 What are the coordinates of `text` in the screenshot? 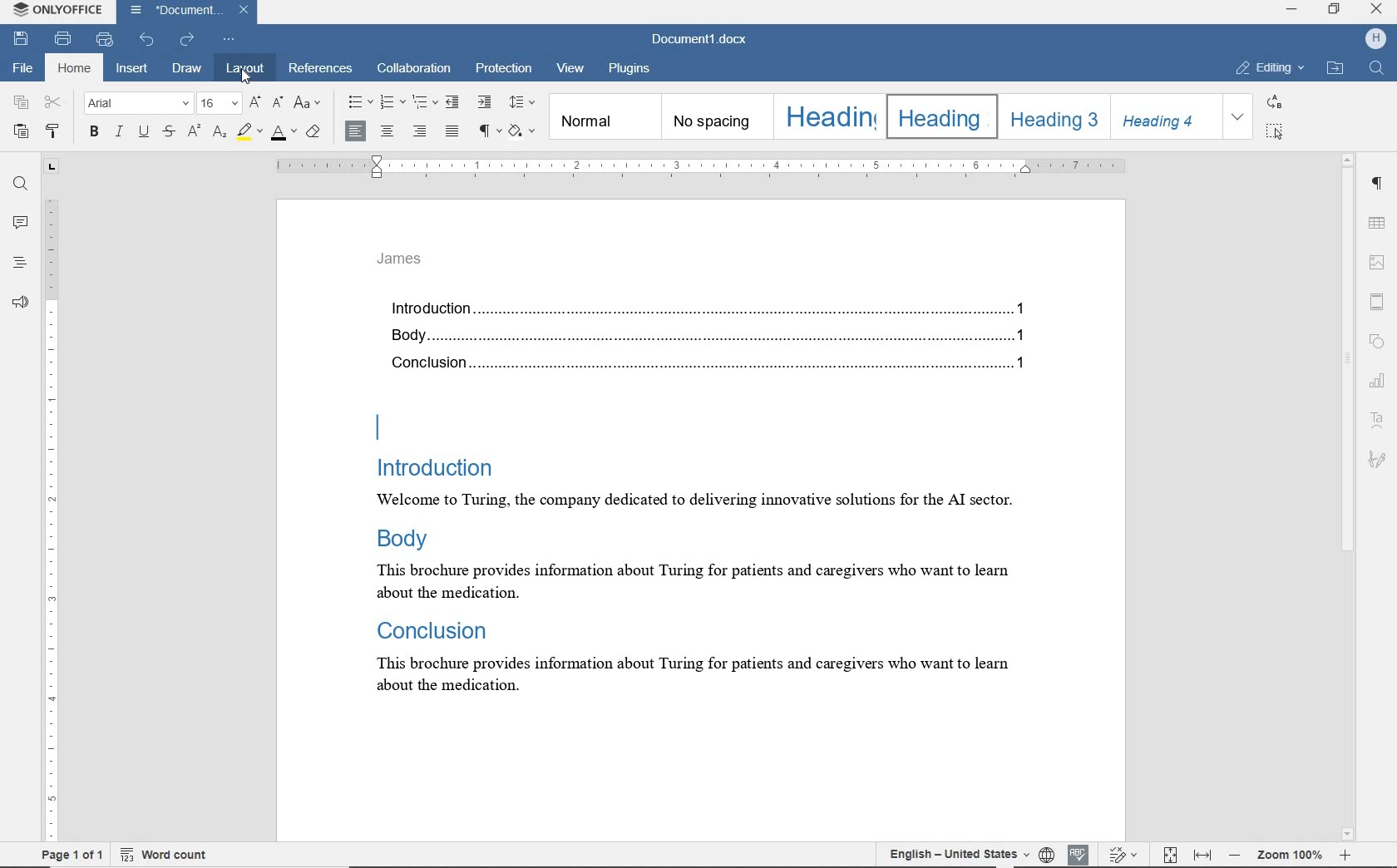 It's located at (717, 509).